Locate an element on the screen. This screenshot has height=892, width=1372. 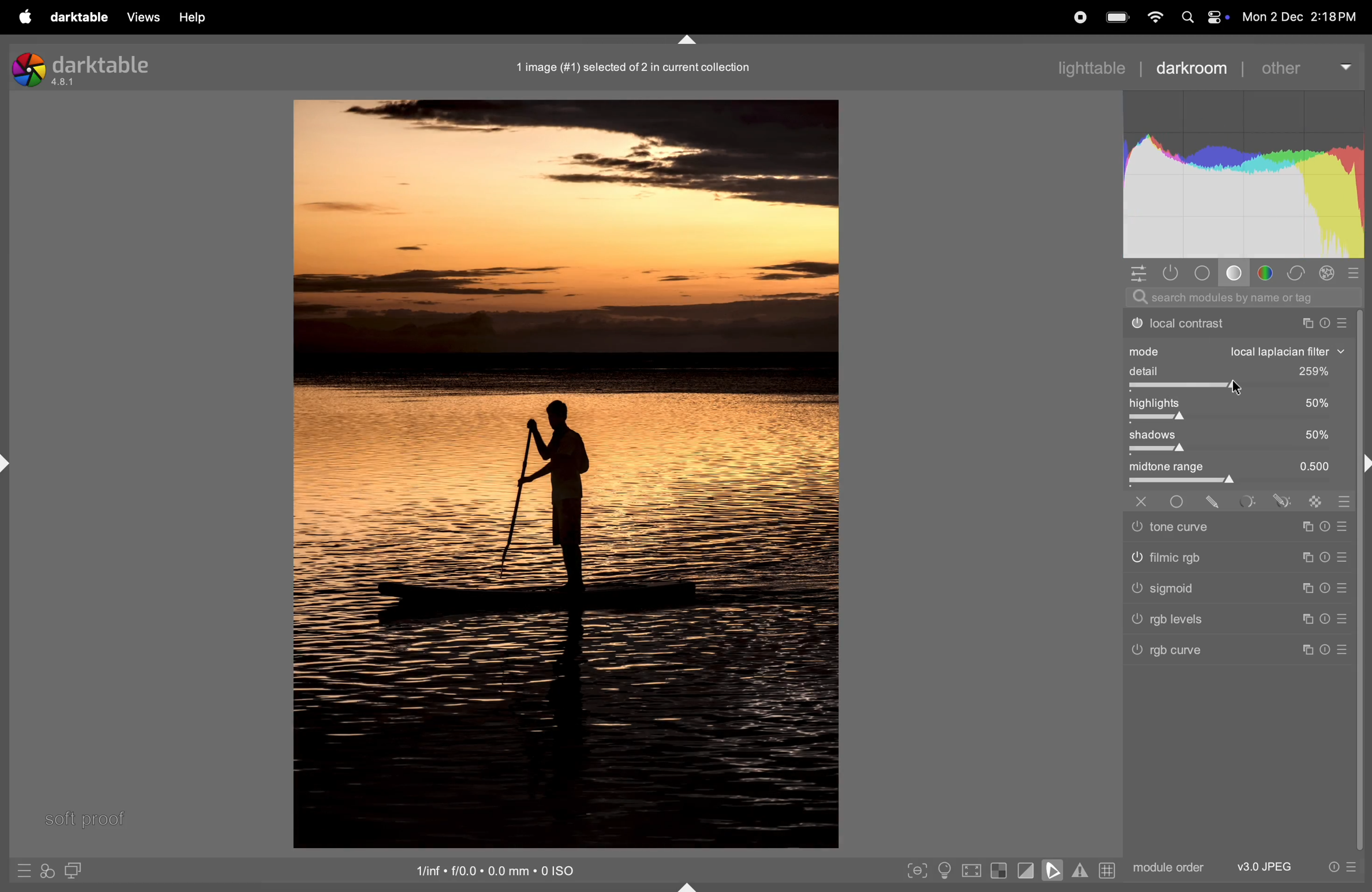
color is located at coordinates (1269, 273).